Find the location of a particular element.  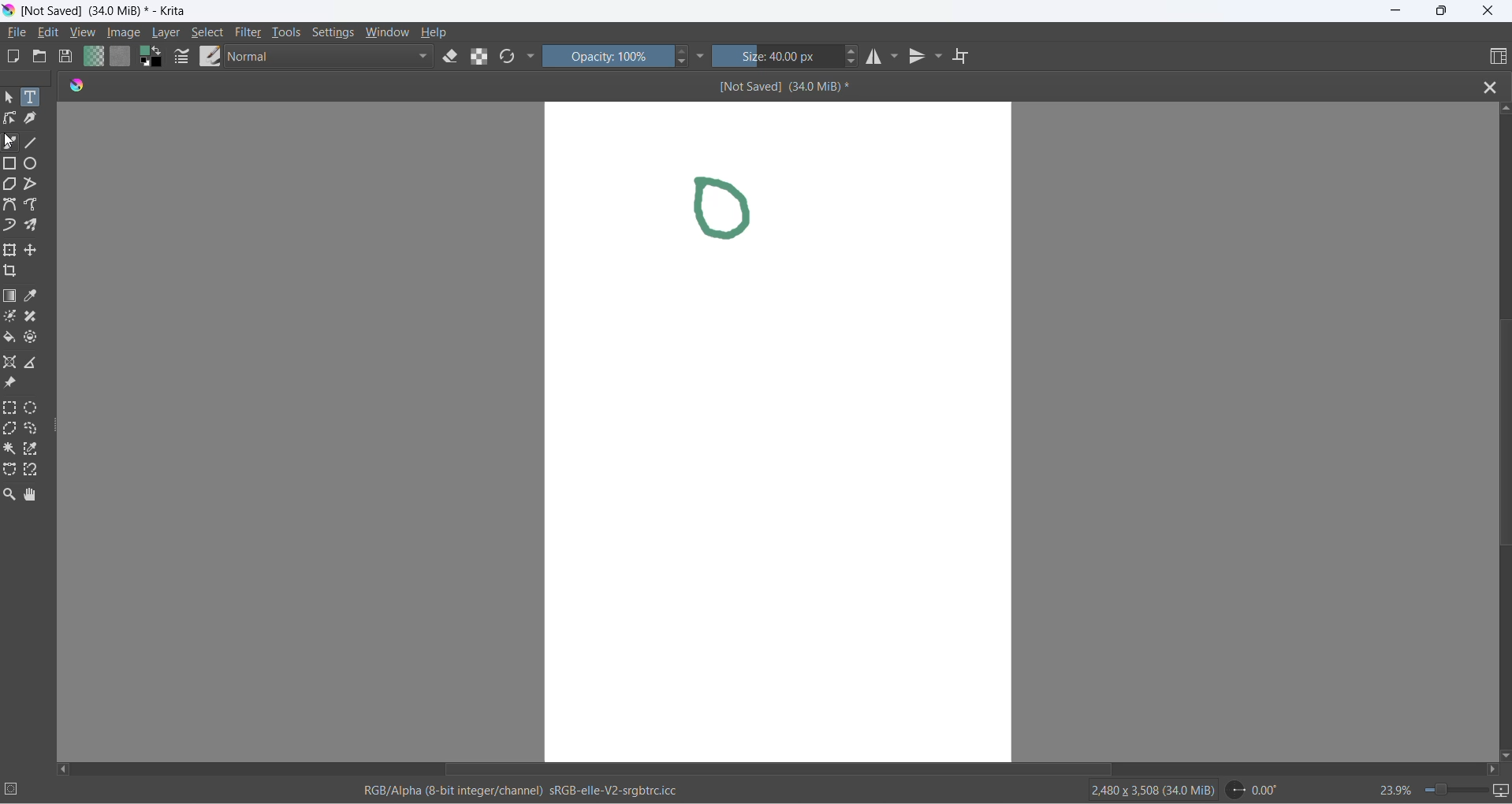

opacity percentange is located at coordinates (608, 57).